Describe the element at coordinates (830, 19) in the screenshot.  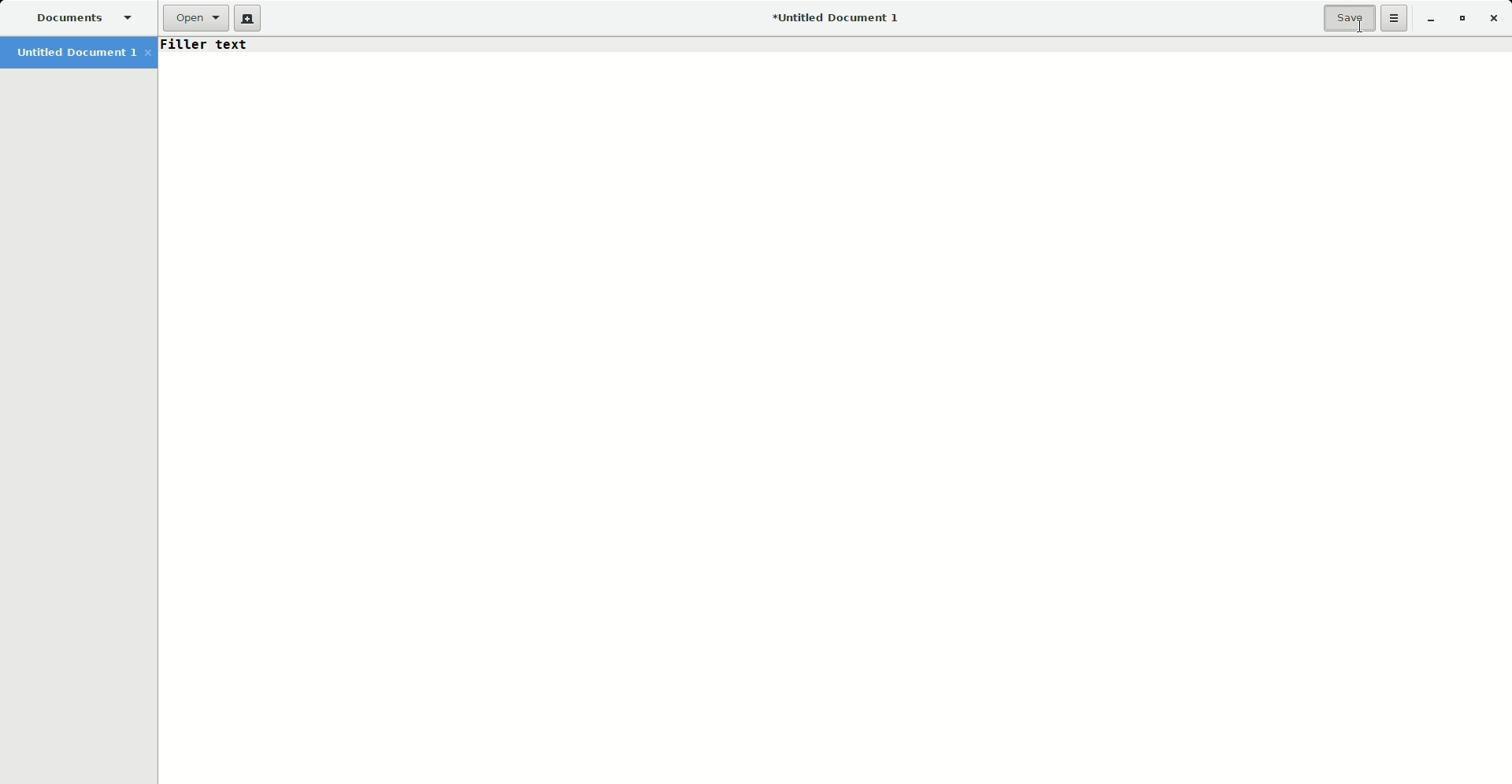
I see `Untitled Document 1` at that location.